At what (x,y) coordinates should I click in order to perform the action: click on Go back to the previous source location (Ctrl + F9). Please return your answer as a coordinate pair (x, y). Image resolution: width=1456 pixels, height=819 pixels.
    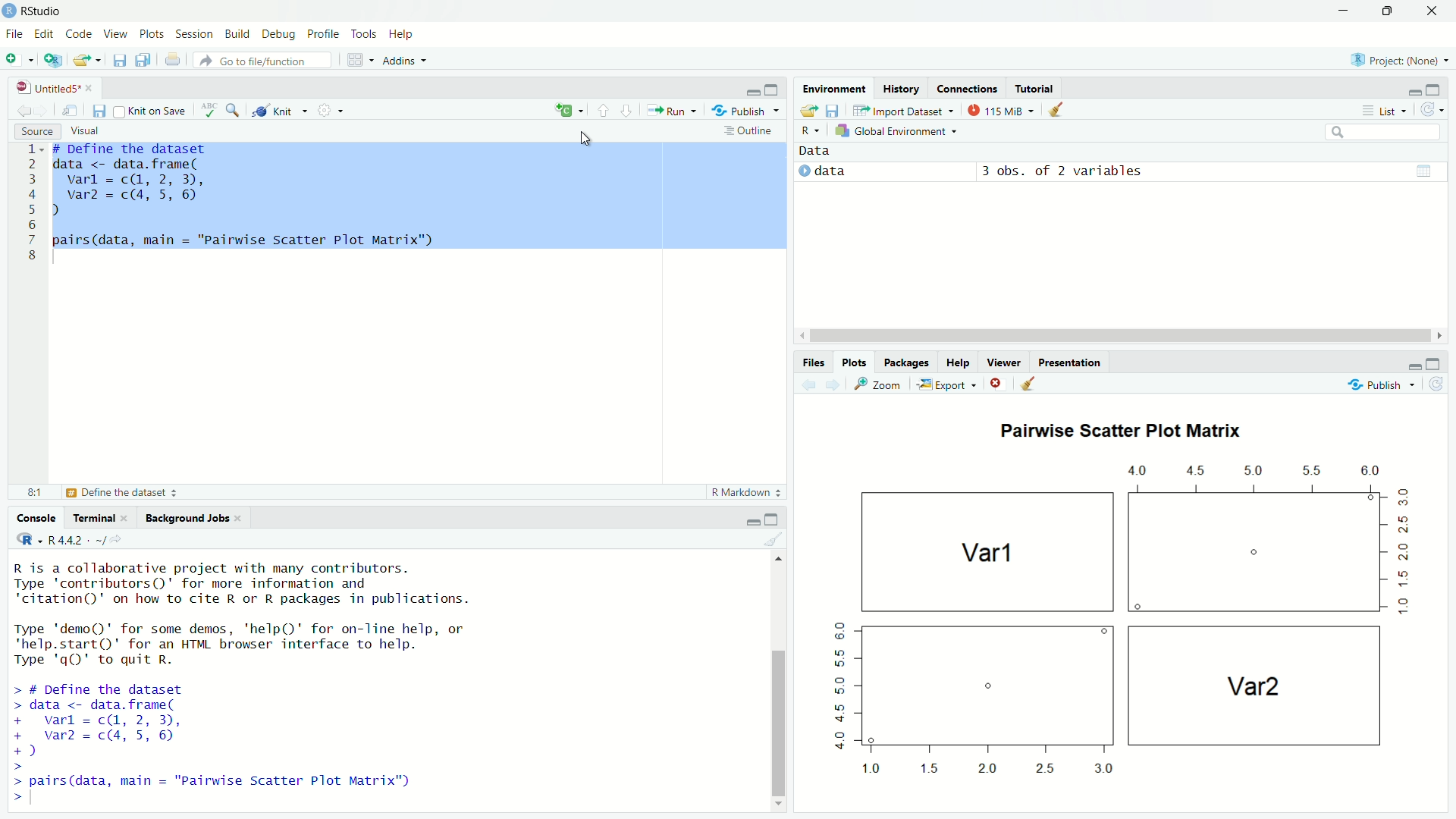
    Looking at the image, I should click on (805, 383).